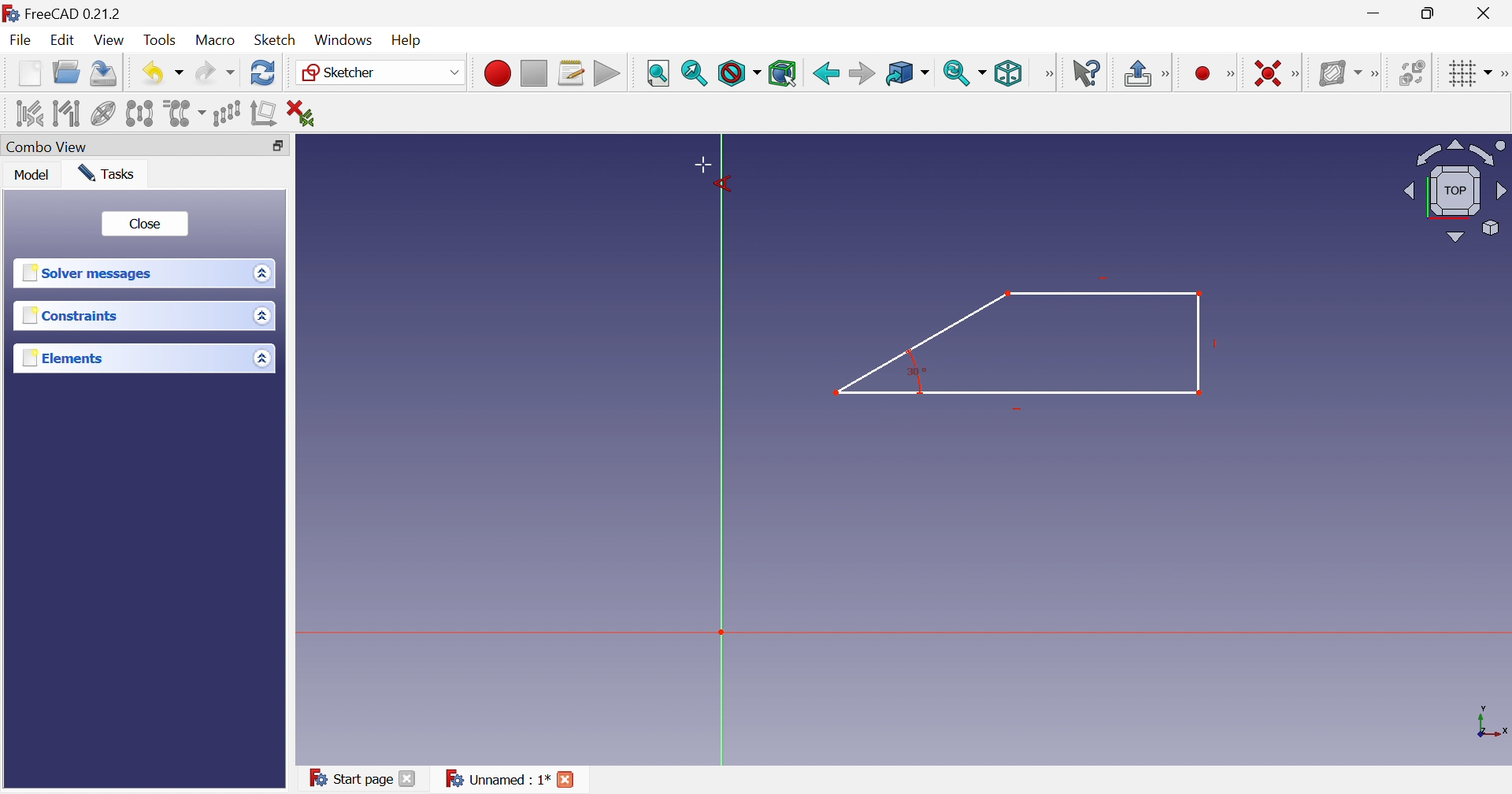 The width and height of the screenshot is (1512, 794). I want to click on View, so click(110, 40).